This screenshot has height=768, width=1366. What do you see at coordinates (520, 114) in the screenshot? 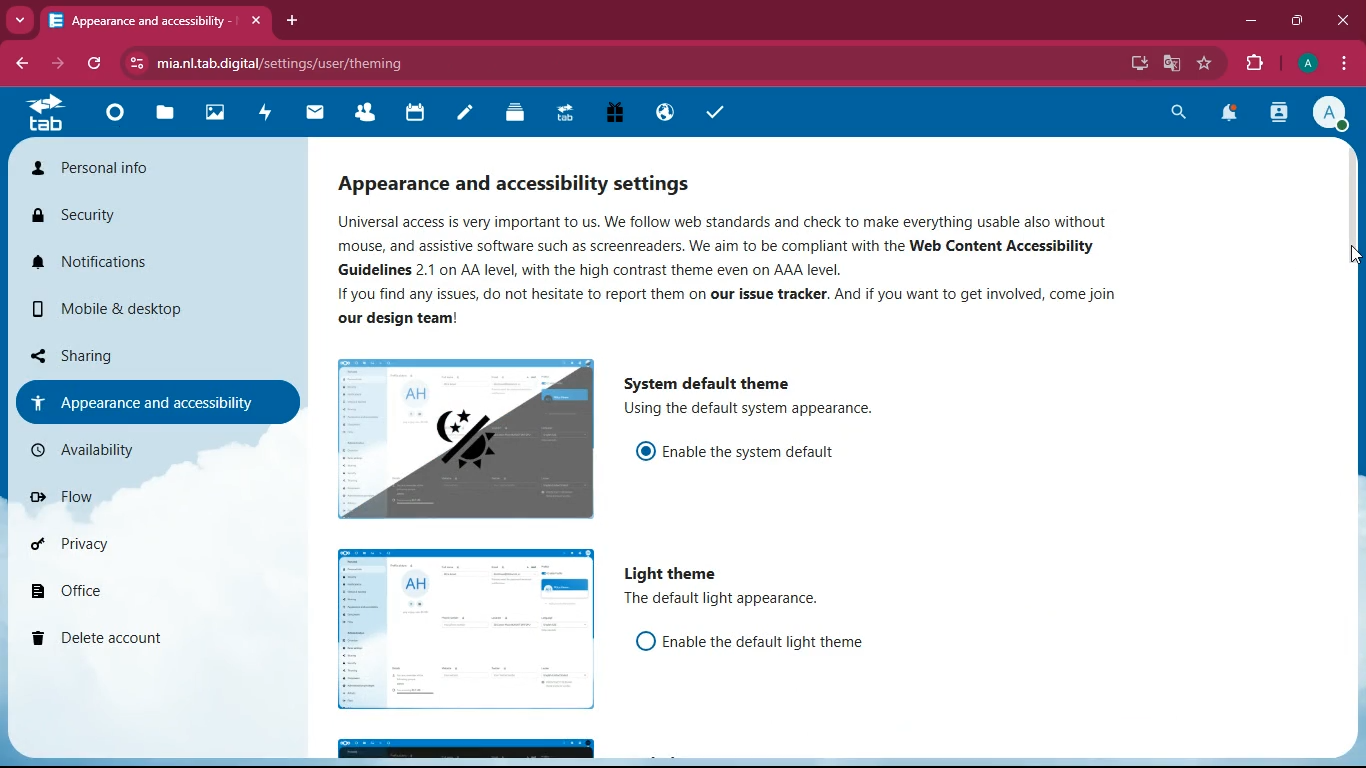
I see `layers` at bounding box center [520, 114].